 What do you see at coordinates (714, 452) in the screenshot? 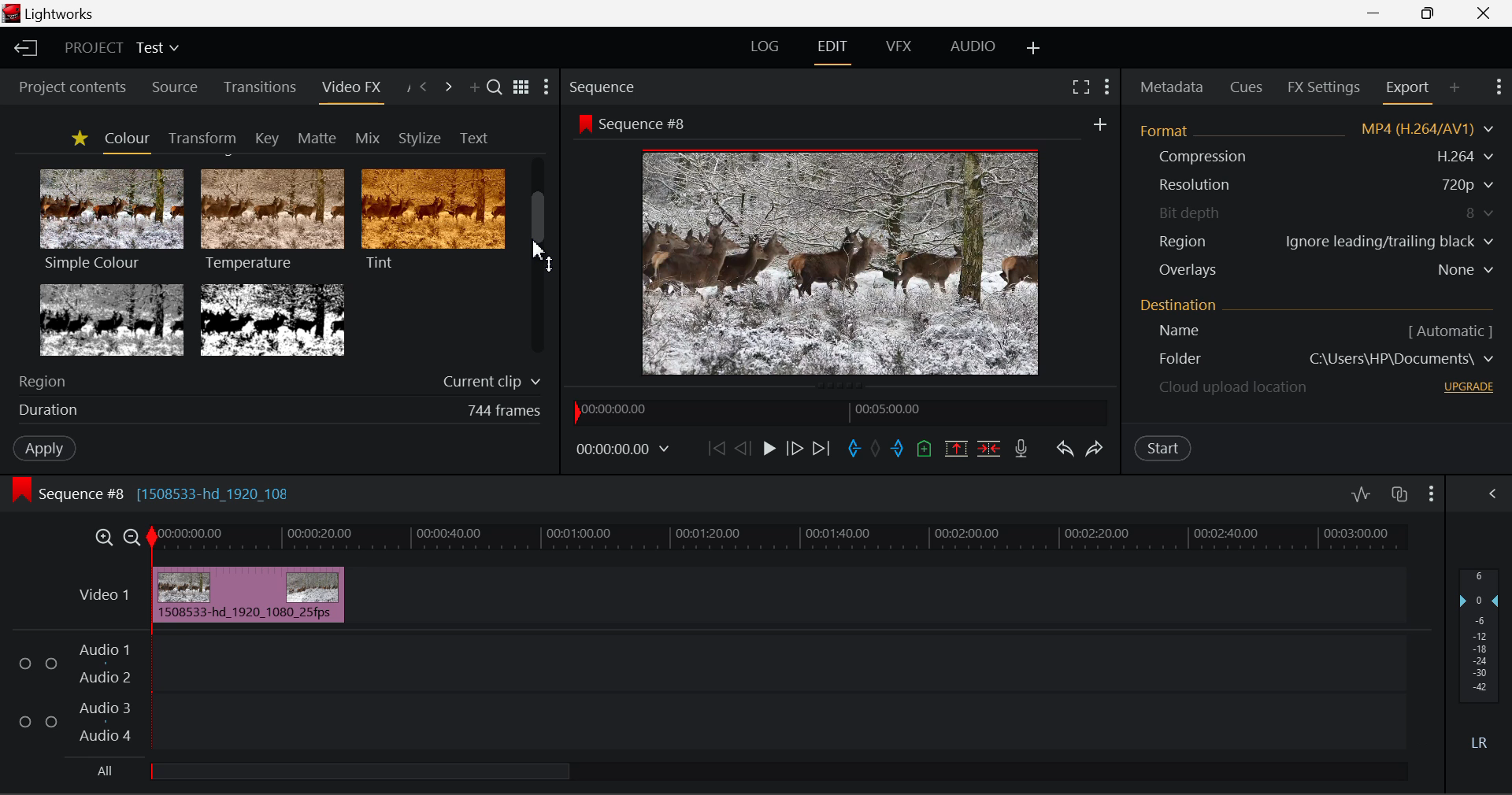
I see `To start` at bounding box center [714, 452].